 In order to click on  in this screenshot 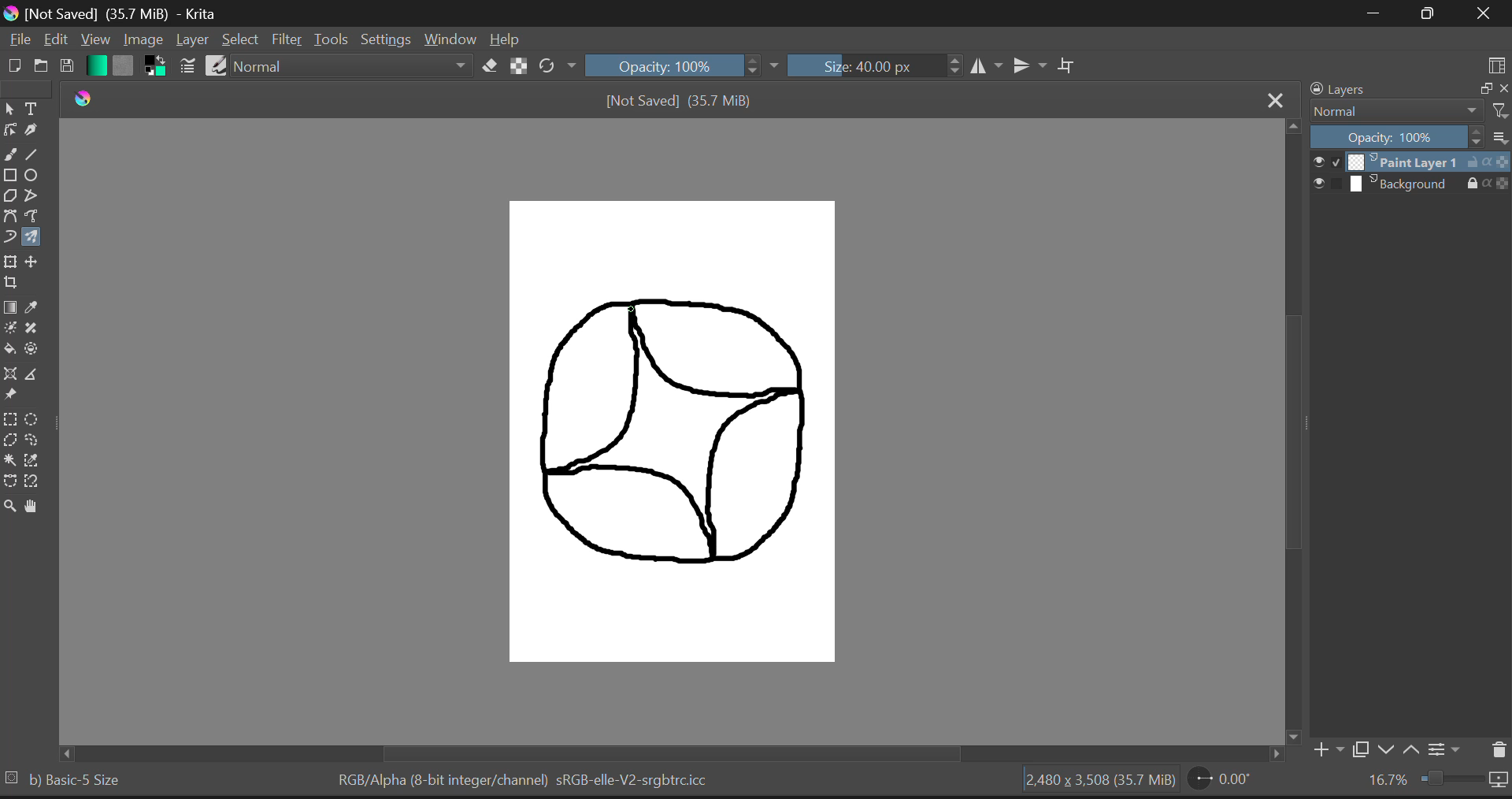, I will do `click(64, 753)`.